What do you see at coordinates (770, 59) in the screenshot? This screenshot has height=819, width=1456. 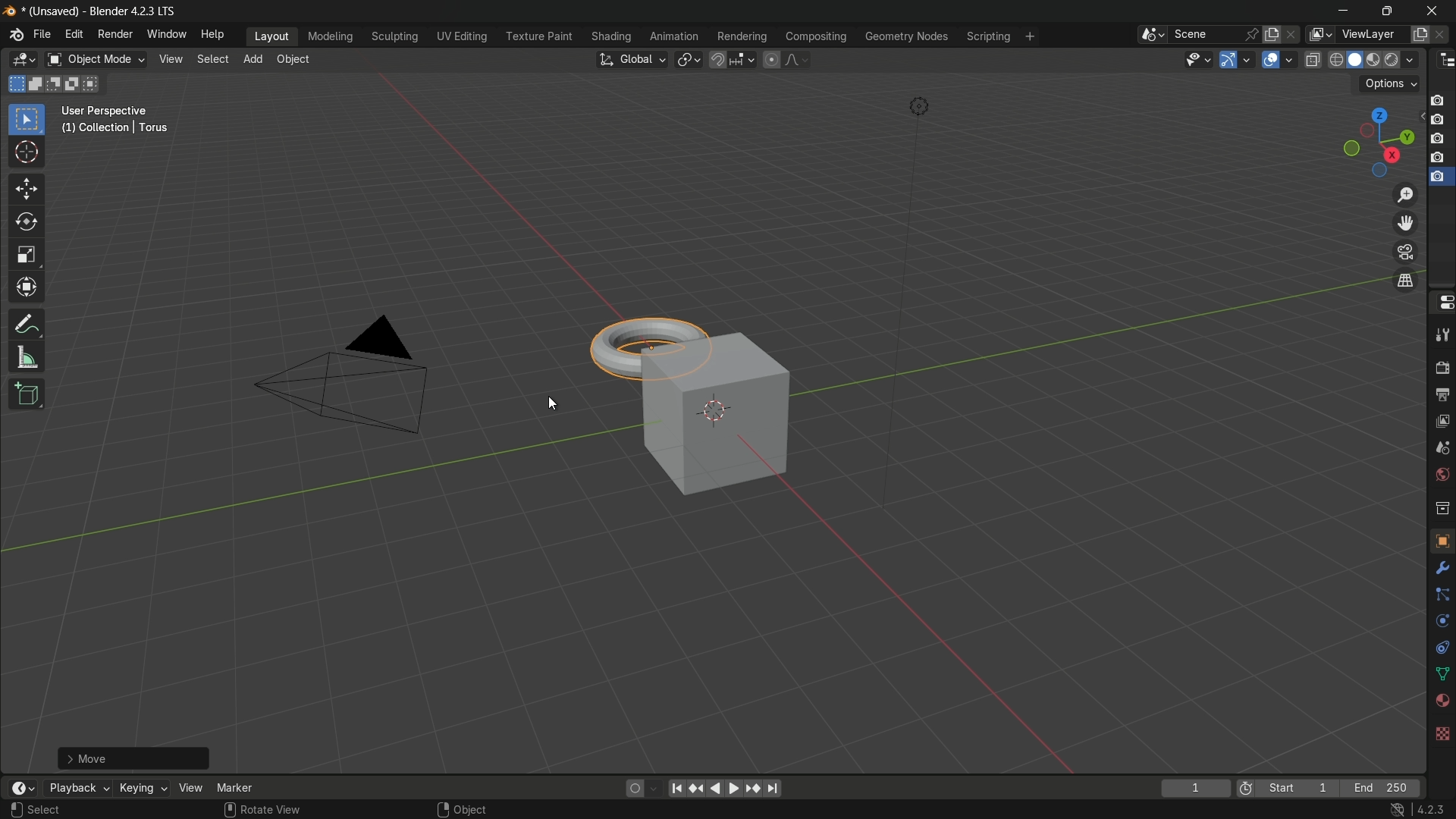 I see `proportional editing object` at bounding box center [770, 59].